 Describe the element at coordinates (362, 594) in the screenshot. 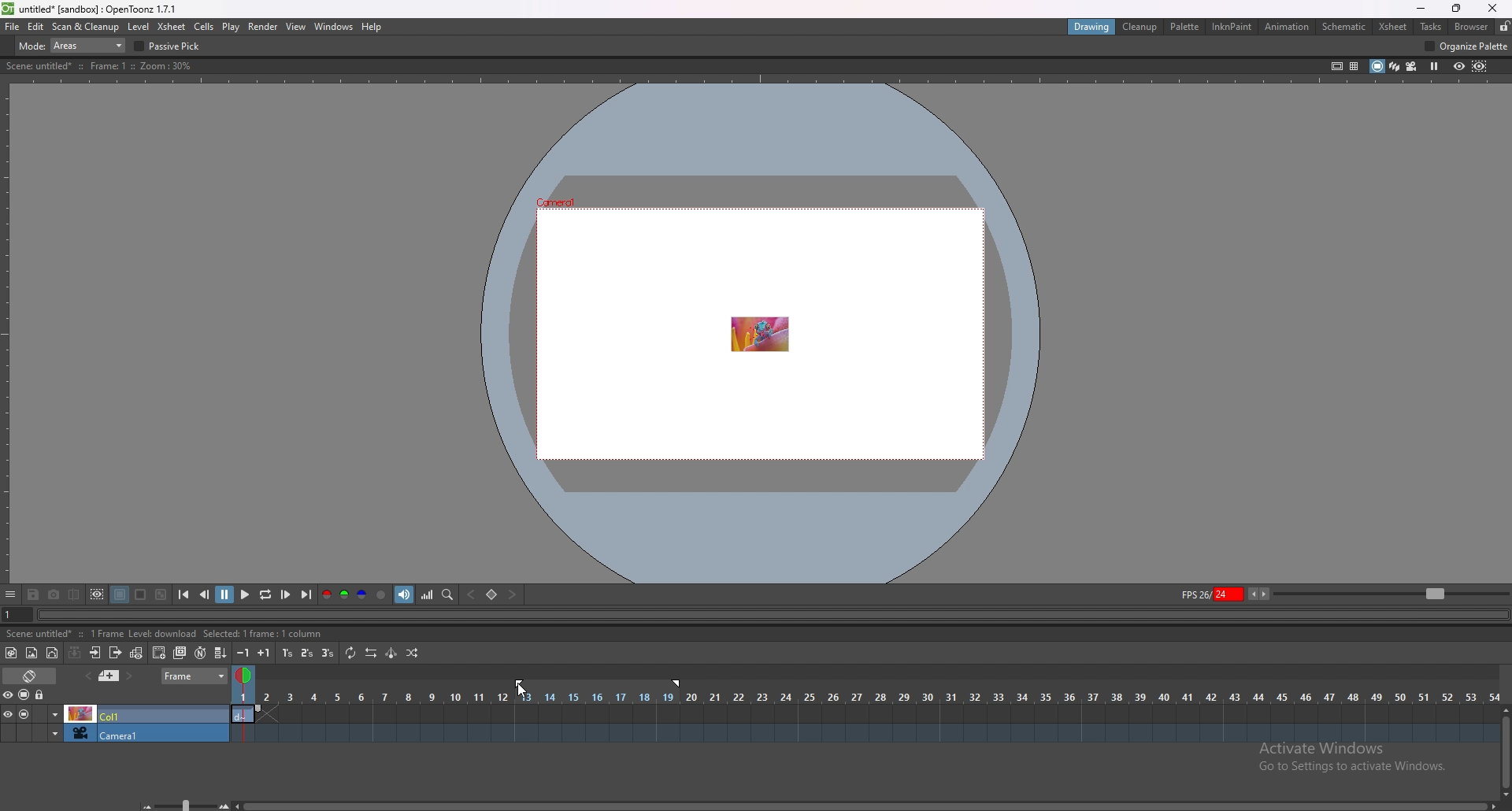

I see `blue channel` at that location.